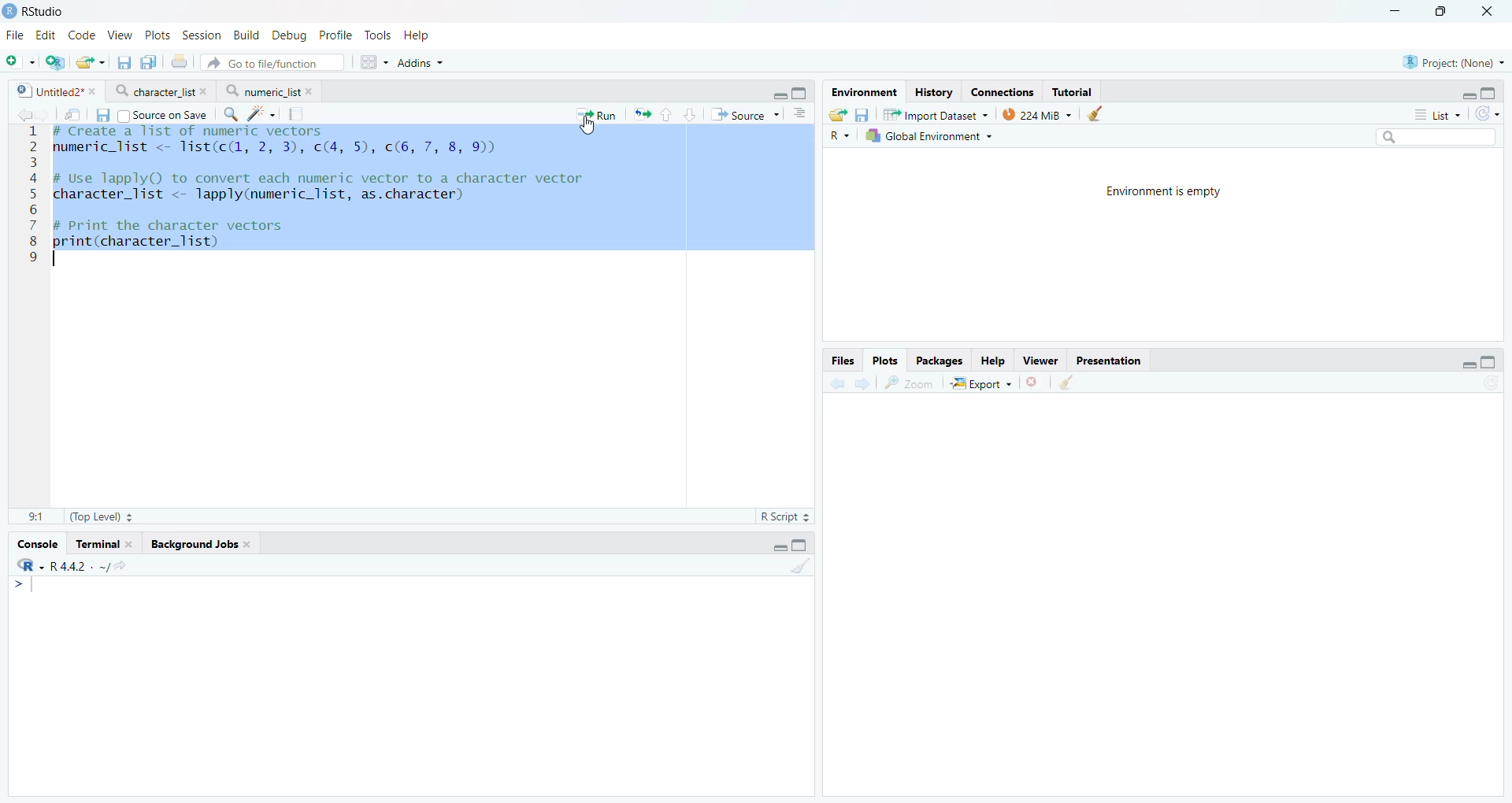  I want to click on Addins, so click(418, 64).